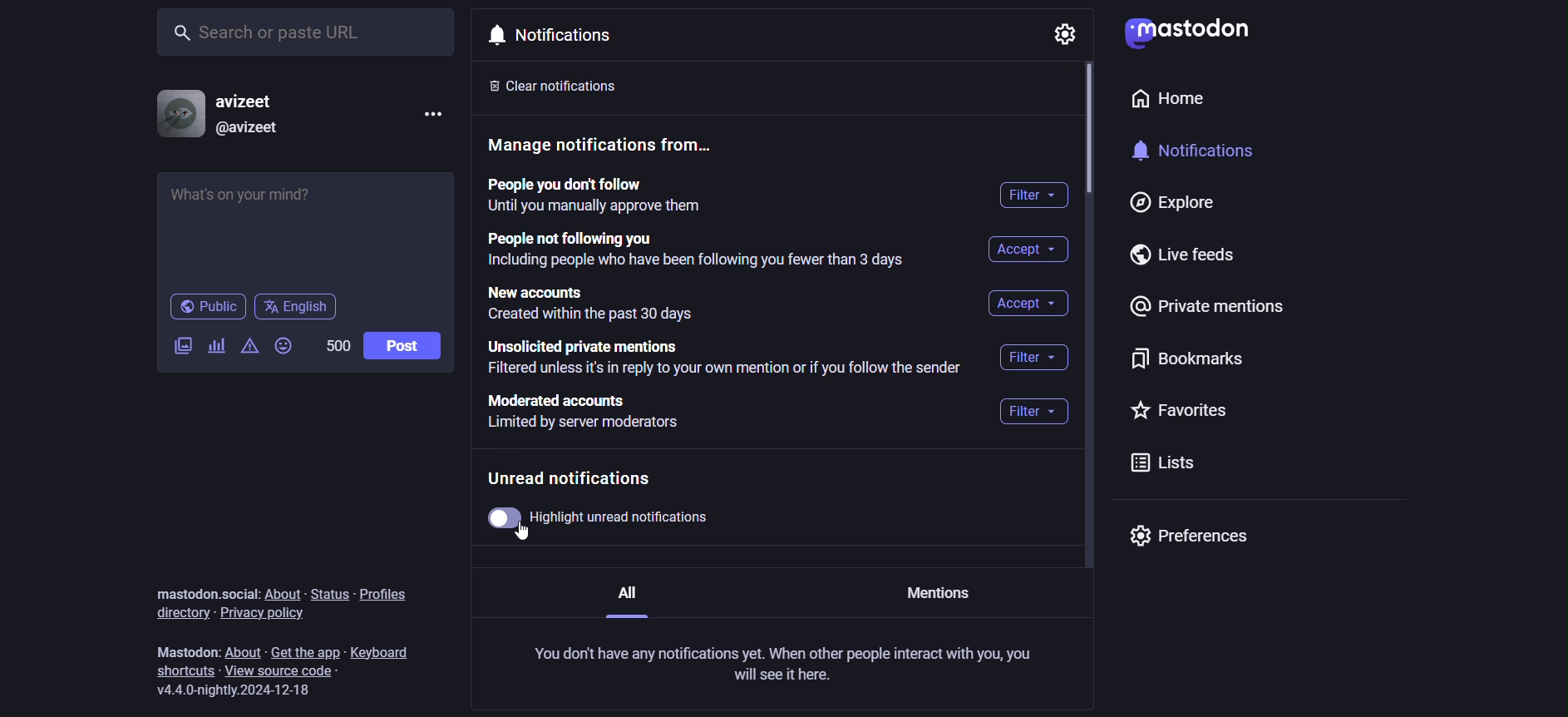  Describe the element at coordinates (179, 613) in the screenshot. I see `directory` at that location.